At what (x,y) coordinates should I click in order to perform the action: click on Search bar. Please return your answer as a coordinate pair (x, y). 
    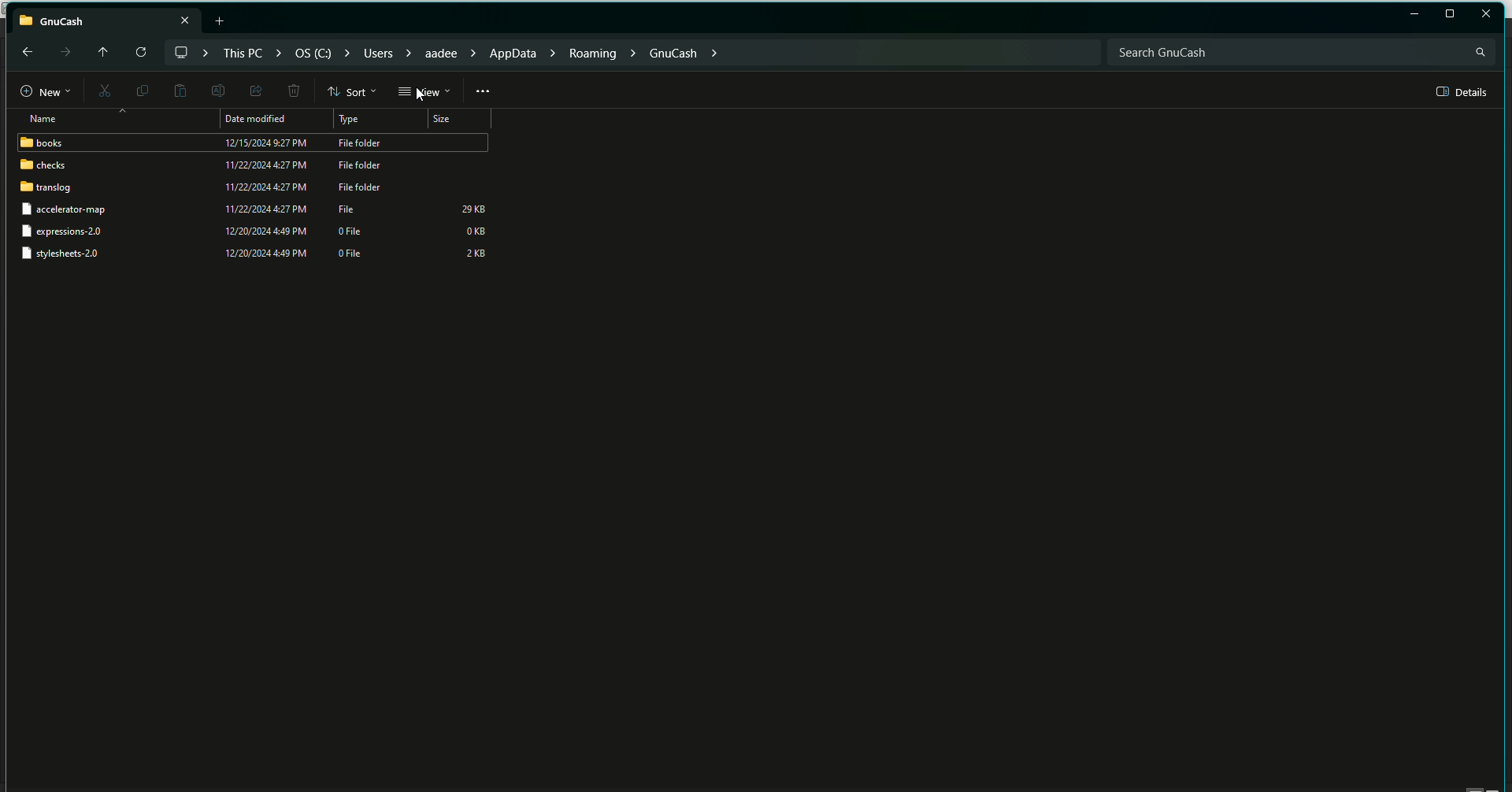
    Looking at the image, I should click on (1300, 51).